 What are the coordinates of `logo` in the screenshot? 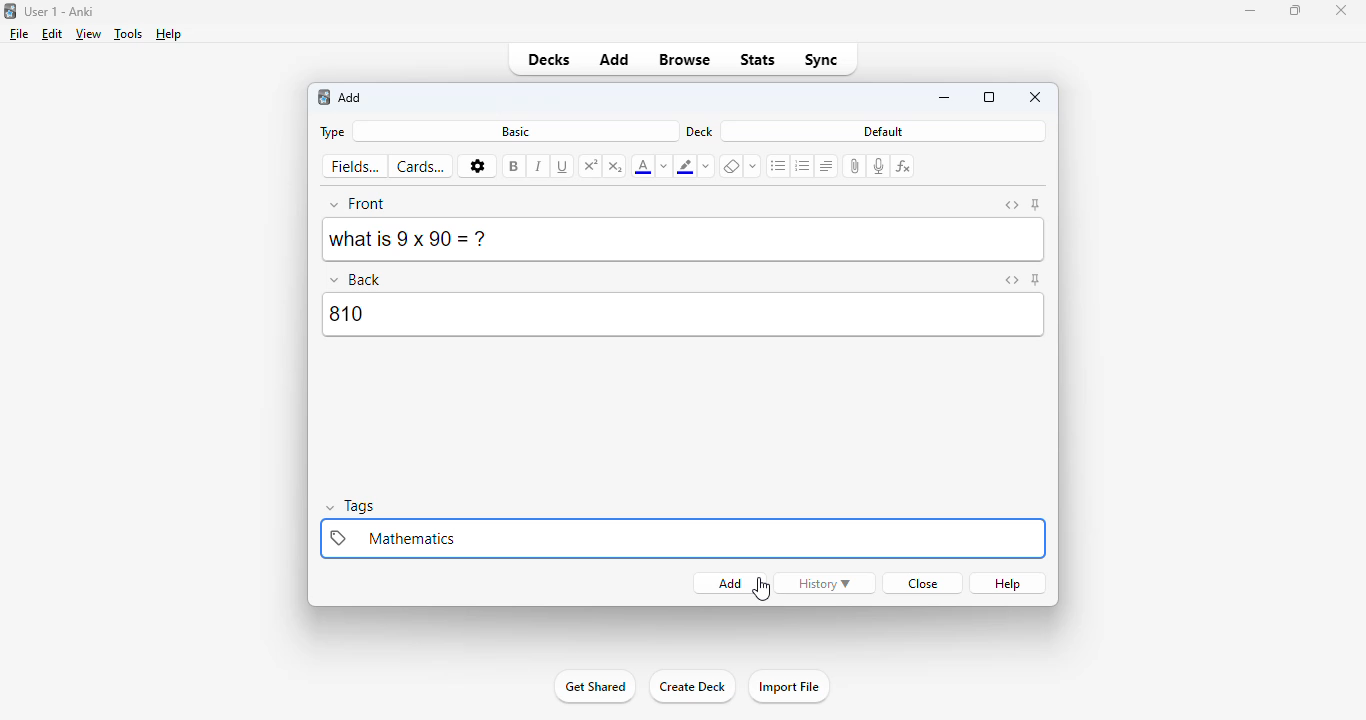 It's located at (9, 11).